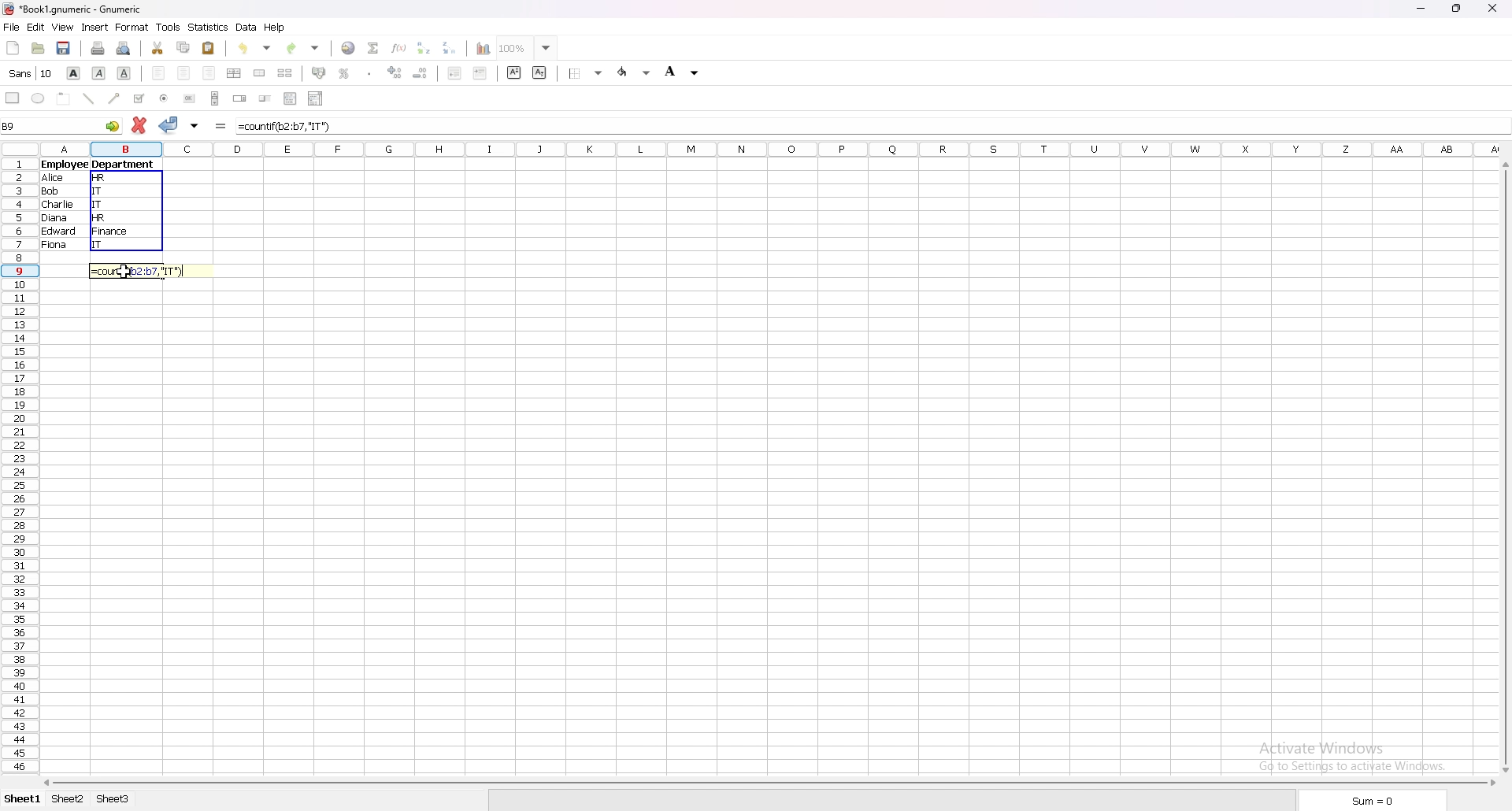  Describe the element at coordinates (398, 48) in the screenshot. I see `function` at that location.